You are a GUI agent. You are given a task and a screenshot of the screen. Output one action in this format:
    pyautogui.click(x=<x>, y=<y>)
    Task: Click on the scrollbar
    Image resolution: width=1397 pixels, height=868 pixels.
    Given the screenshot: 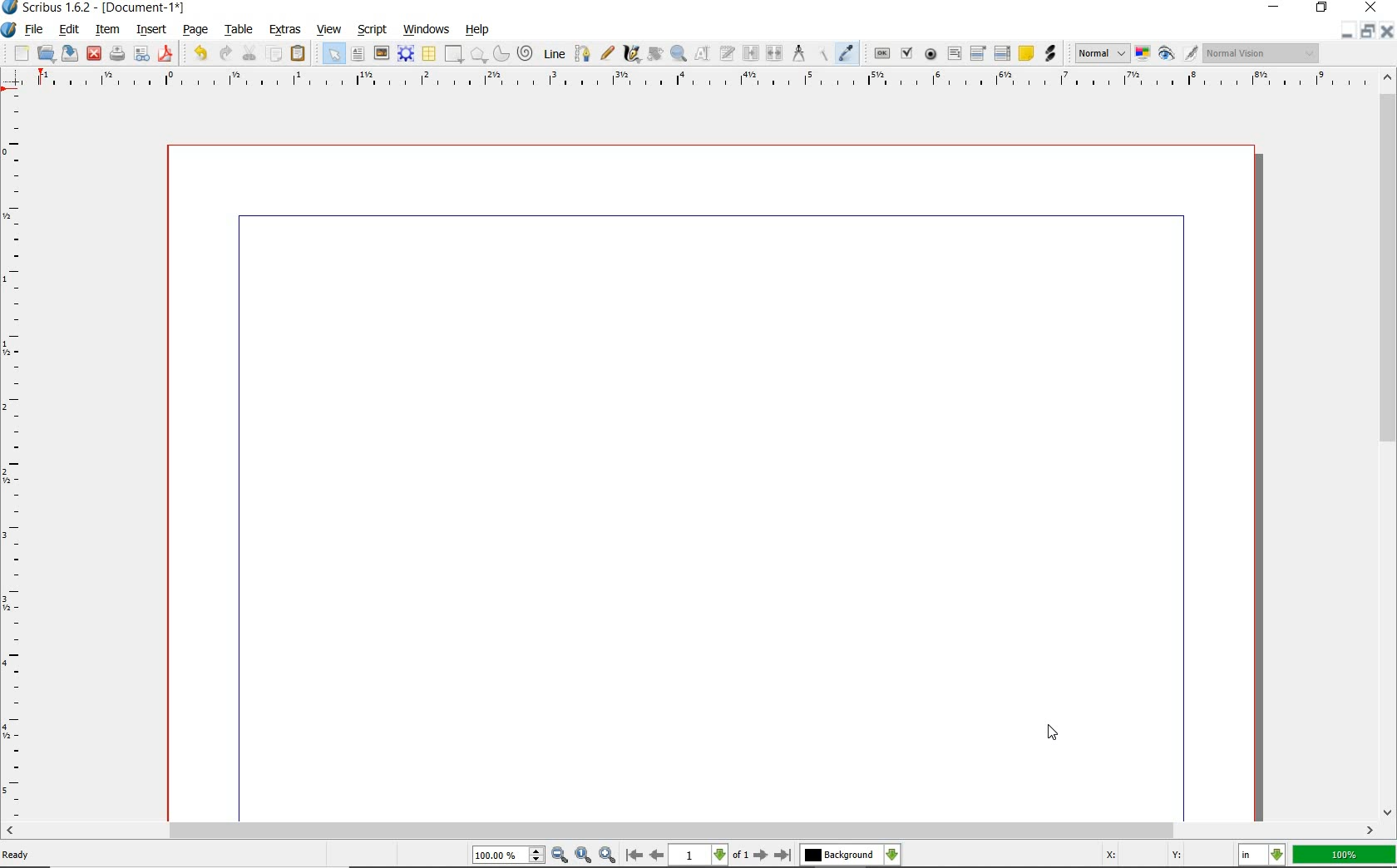 What is the action you would take?
    pyautogui.click(x=689, y=832)
    